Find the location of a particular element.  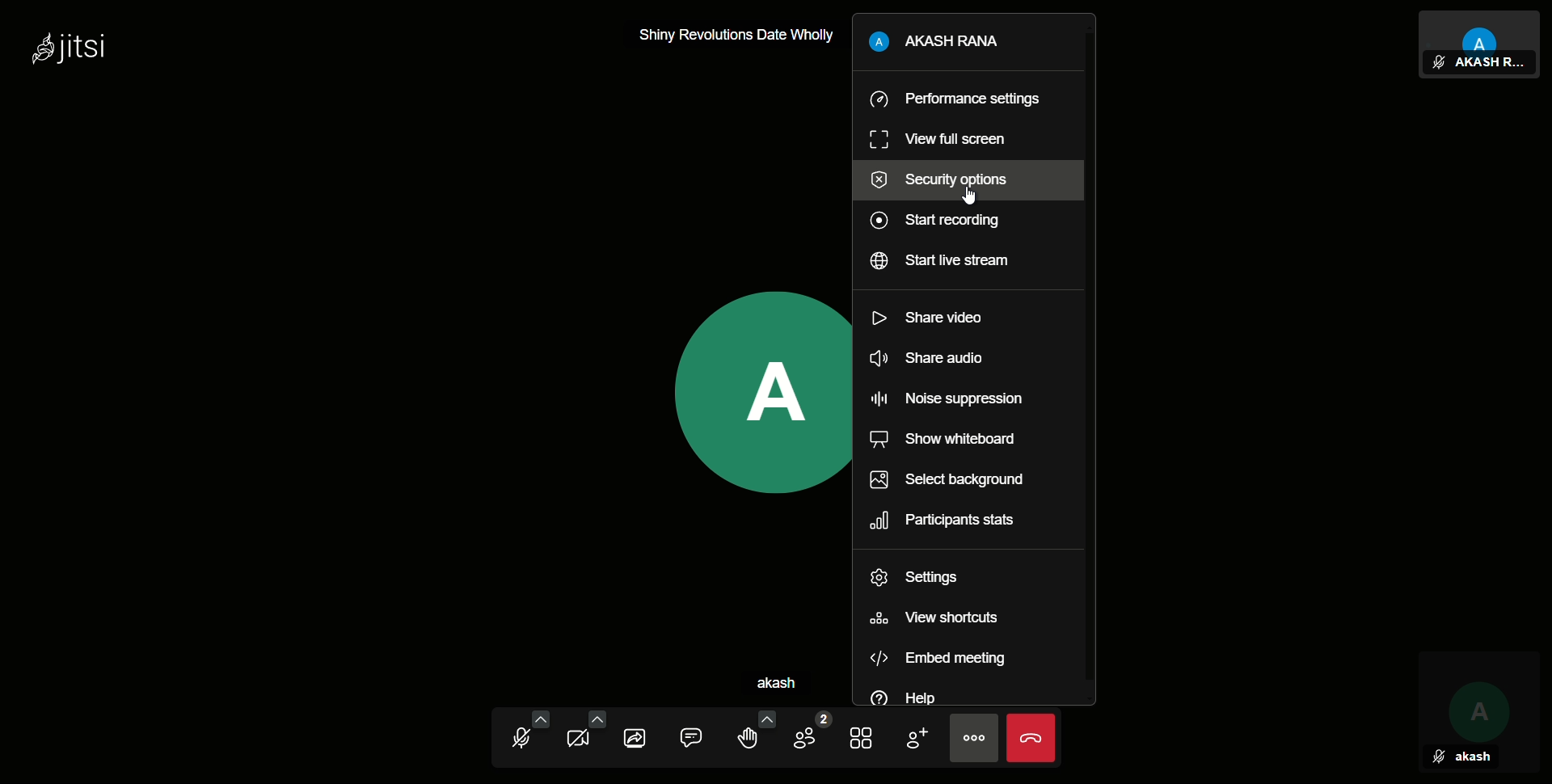

open chat is located at coordinates (700, 736).